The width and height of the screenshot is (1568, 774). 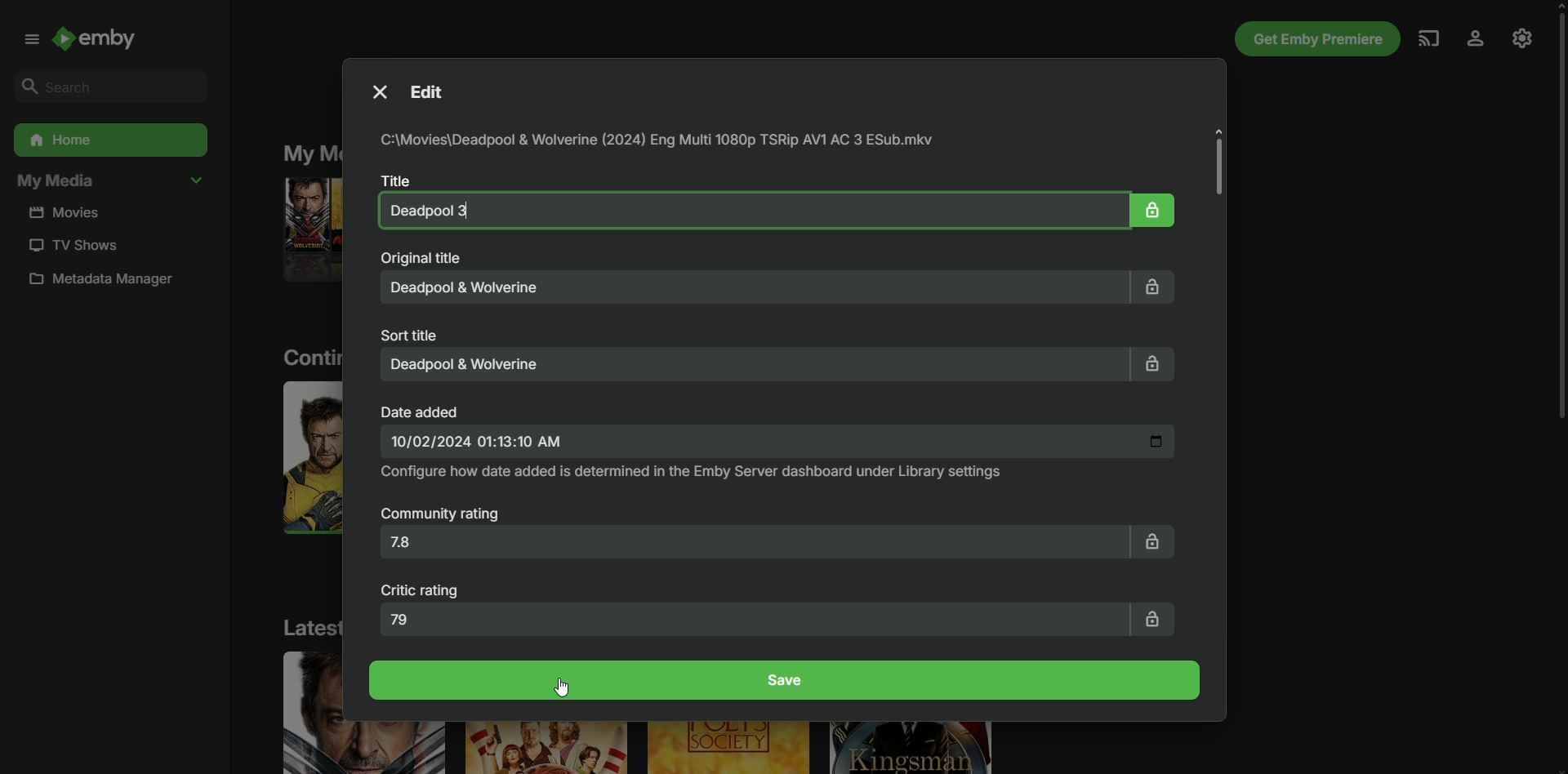 What do you see at coordinates (441, 515) in the screenshot?
I see `Community Rating` at bounding box center [441, 515].